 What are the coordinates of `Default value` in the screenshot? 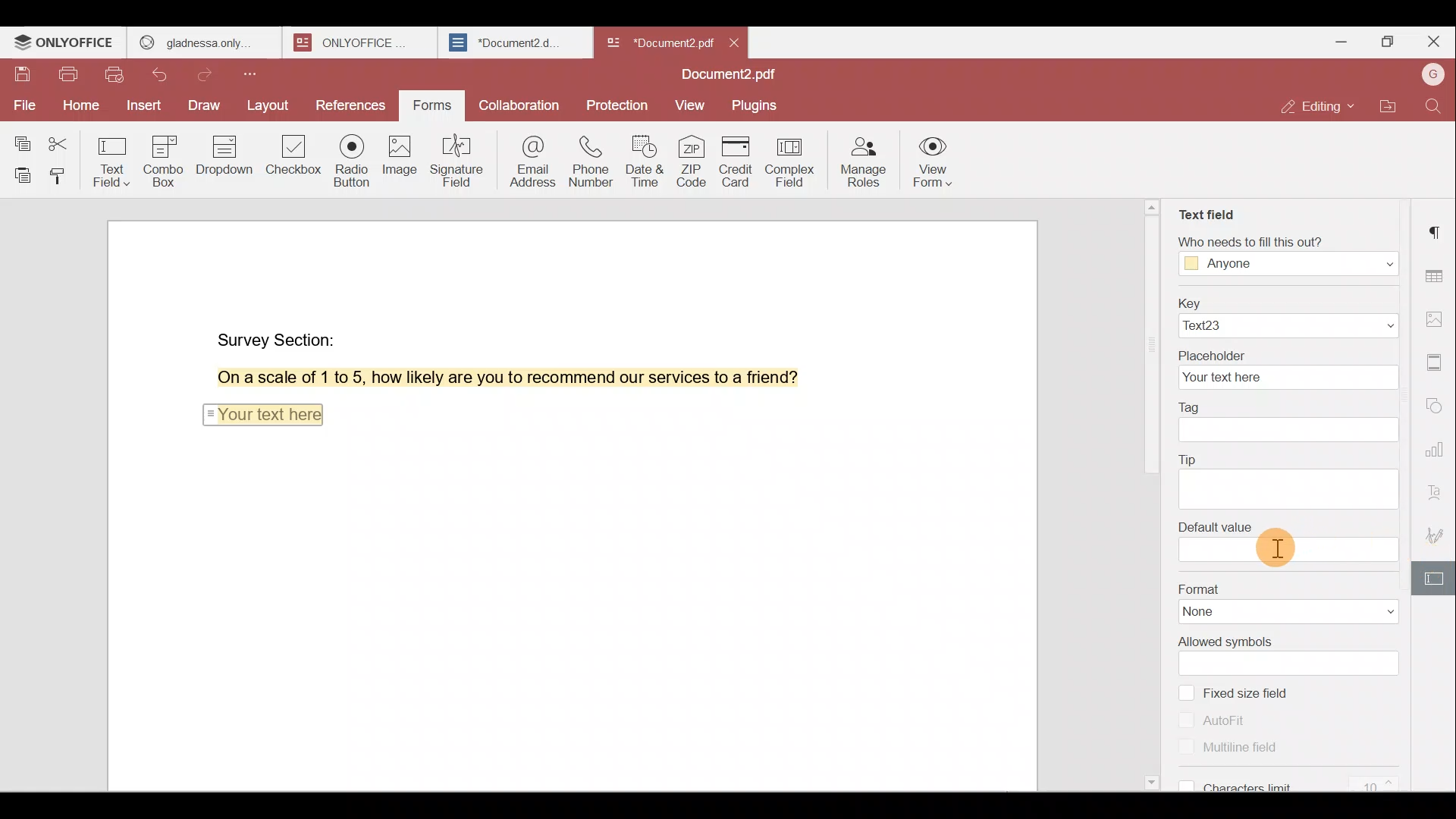 It's located at (1287, 541).